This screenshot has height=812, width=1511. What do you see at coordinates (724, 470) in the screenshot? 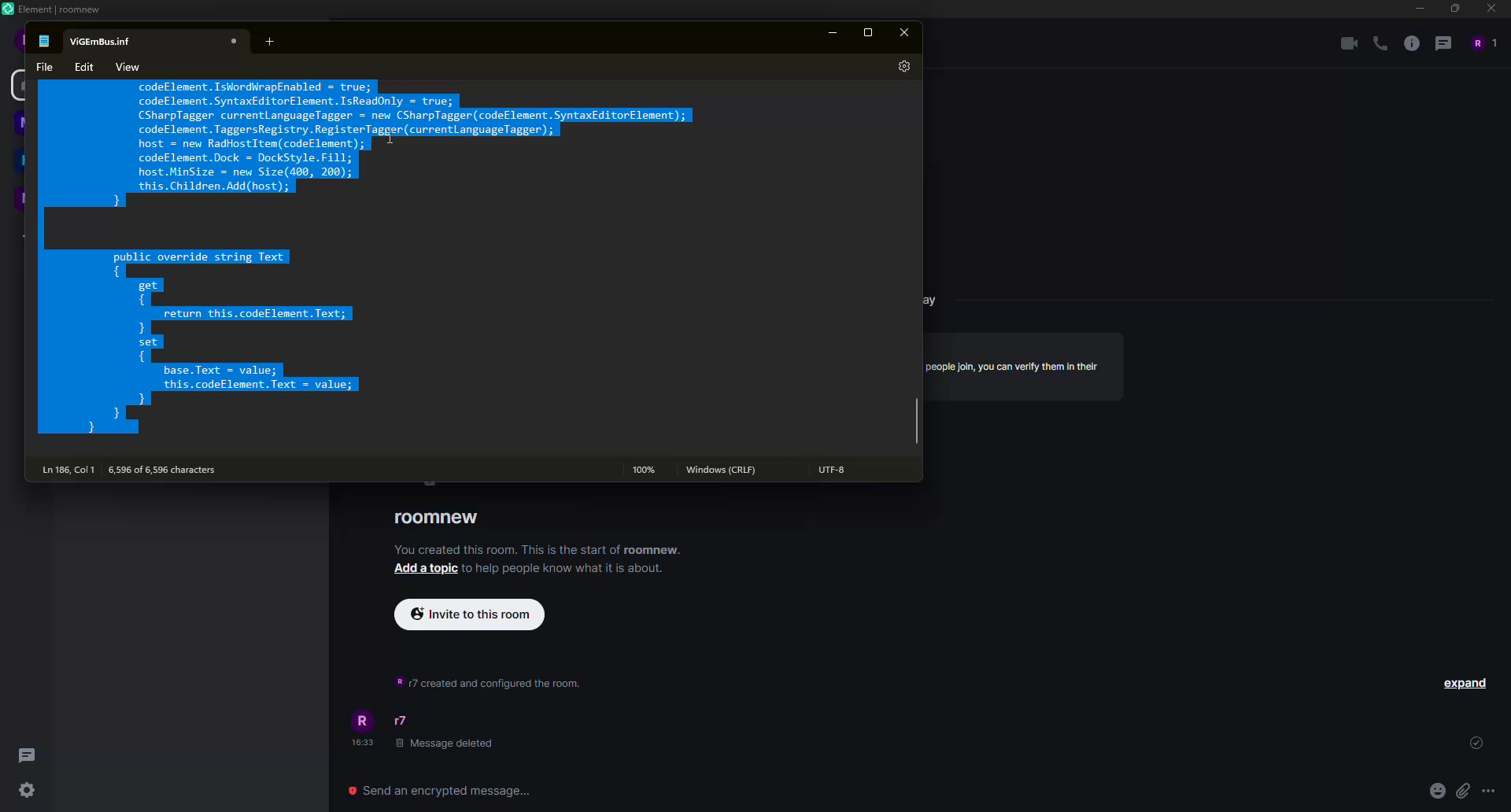
I see `windows` at bounding box center [724, 470].